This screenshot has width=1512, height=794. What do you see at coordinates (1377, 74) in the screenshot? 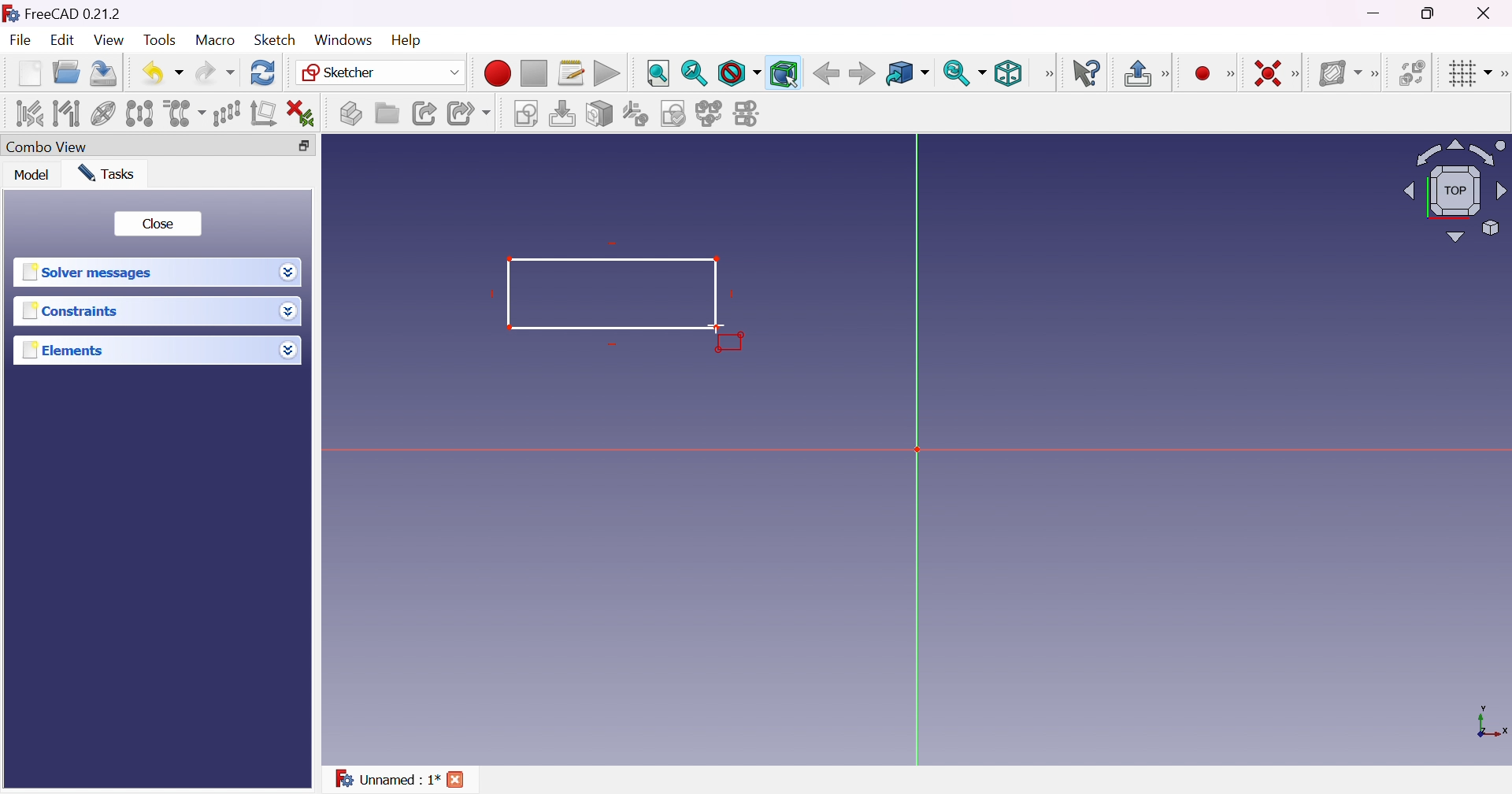
I see `[Sketcher B-spline tools]` at bounding box center [1377, 74].